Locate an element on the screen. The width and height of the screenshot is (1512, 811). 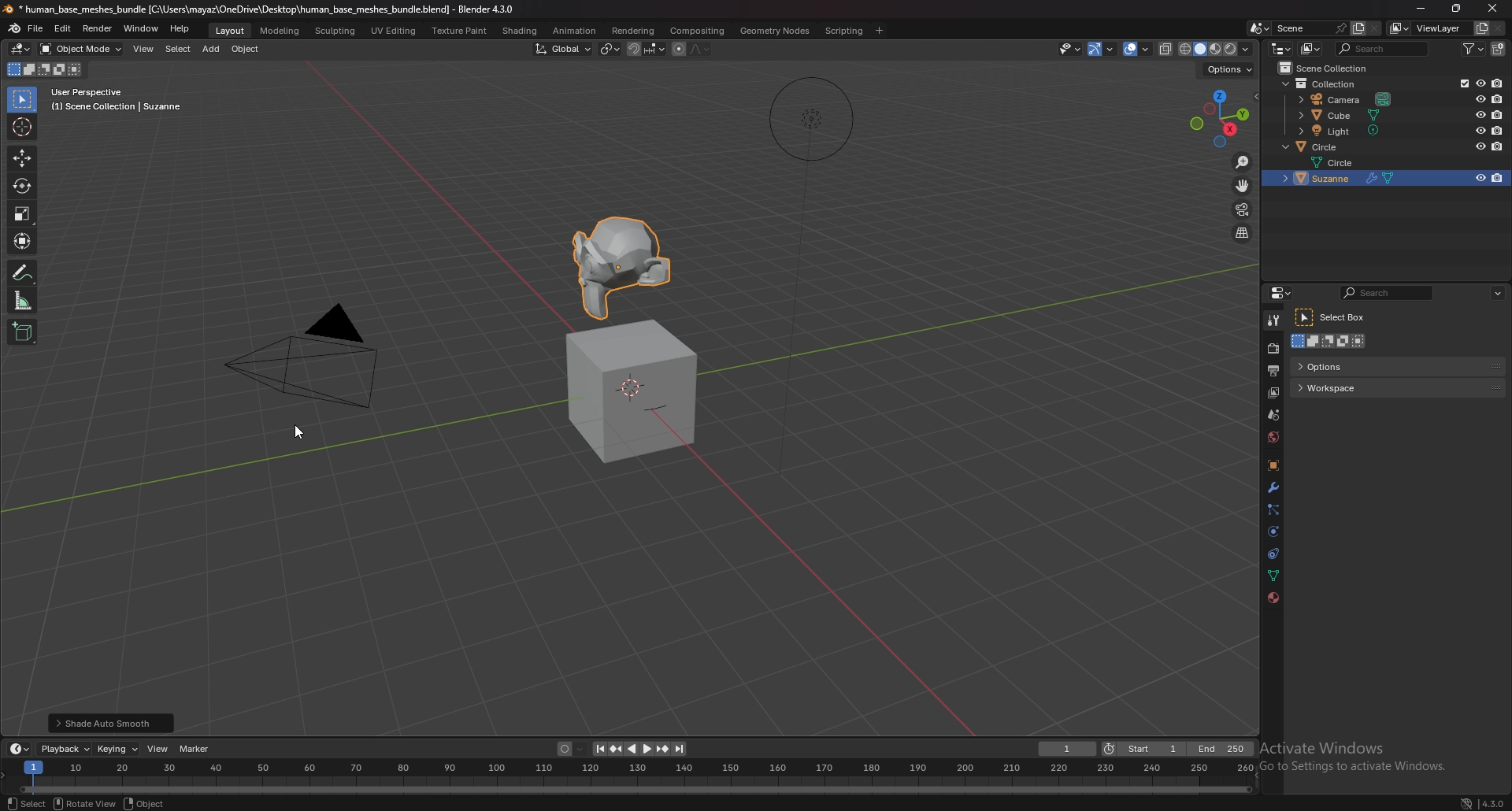
minimize is located at coordinates (1417, 8).